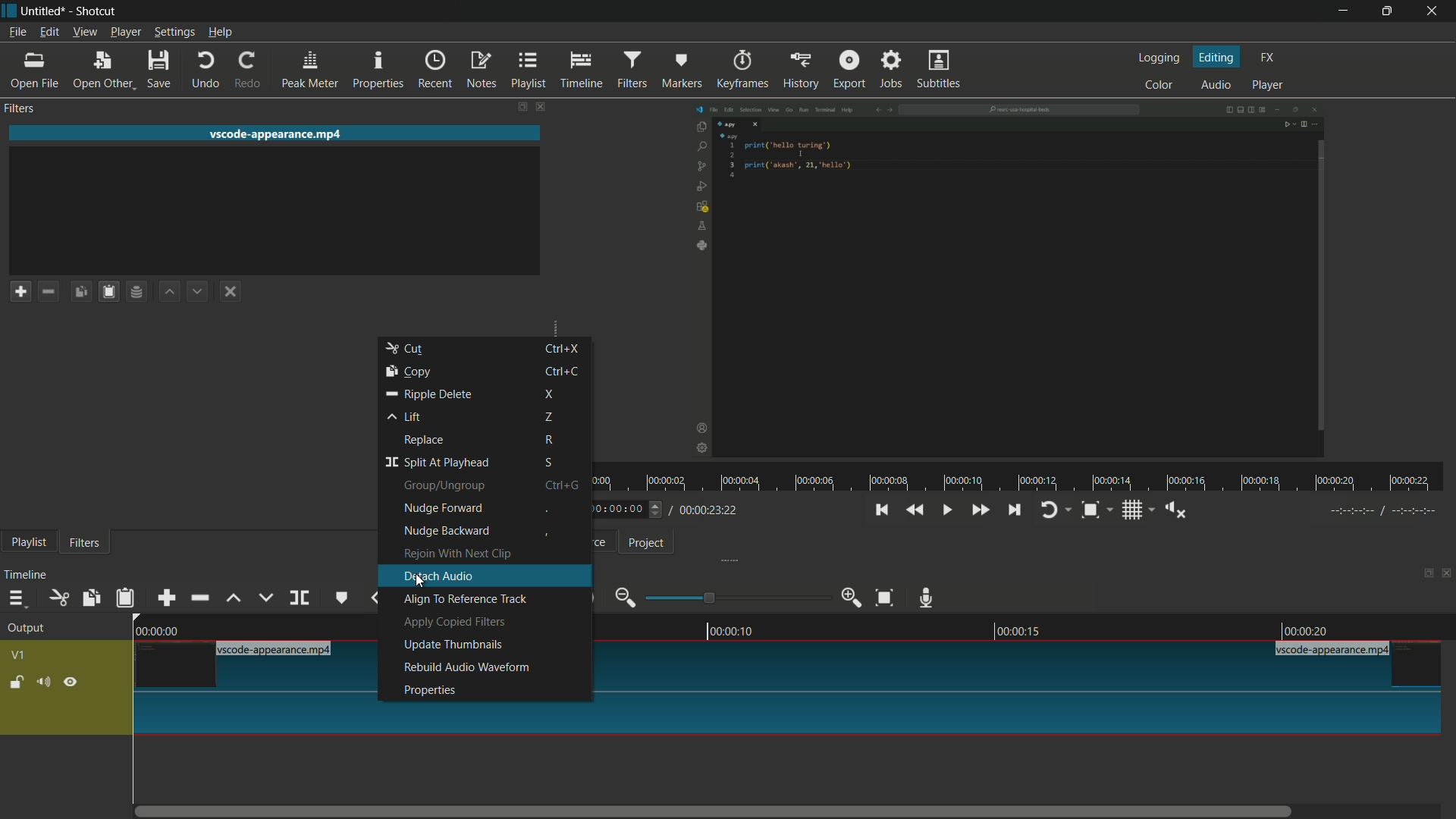 The height and width of the screenshot is (819, 1456). Describe the element at coordinates (57, 597) in the screenshot. I see `cut` at that location.